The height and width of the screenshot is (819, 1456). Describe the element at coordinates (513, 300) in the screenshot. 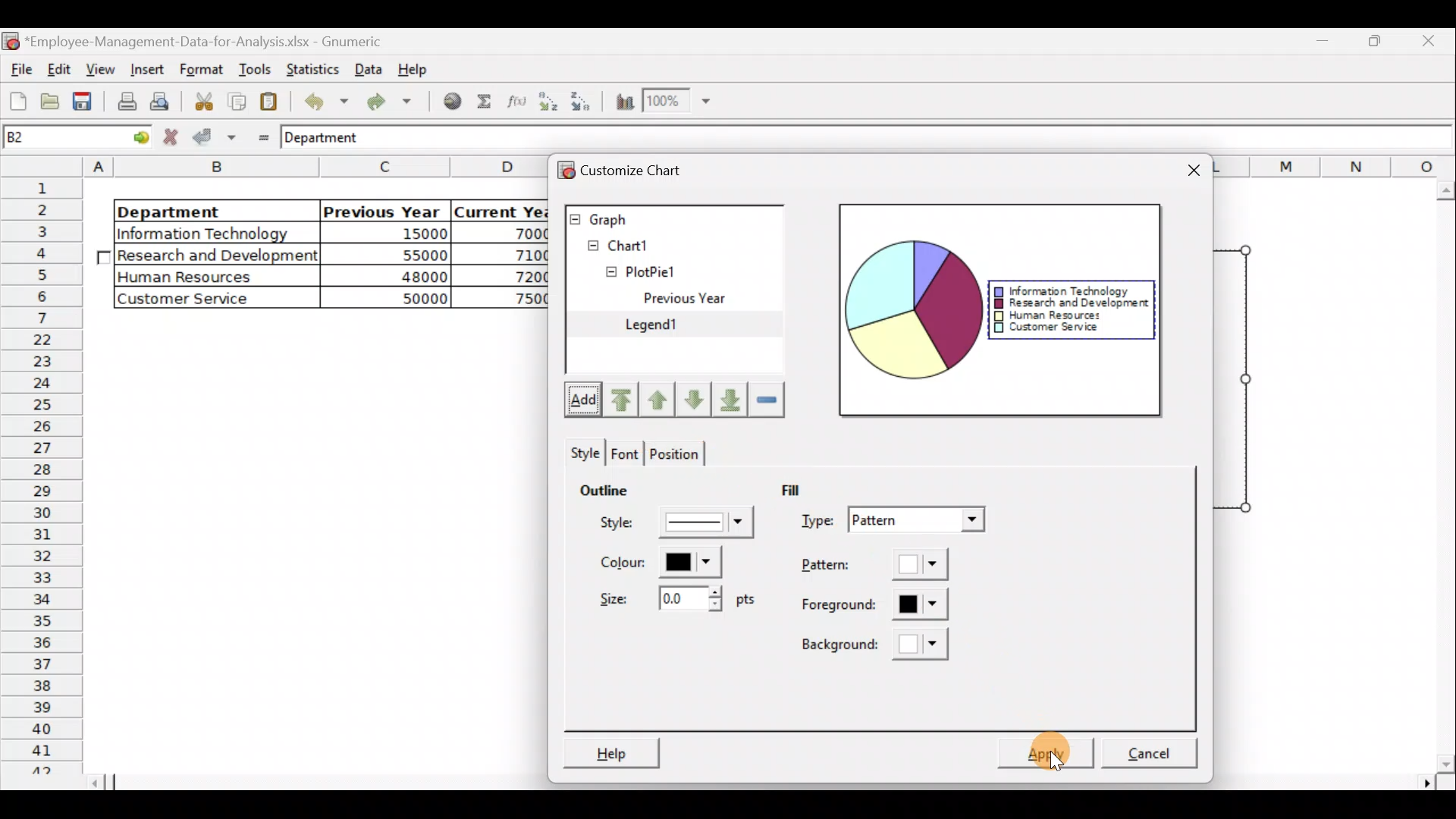

I see `75000` at that location.